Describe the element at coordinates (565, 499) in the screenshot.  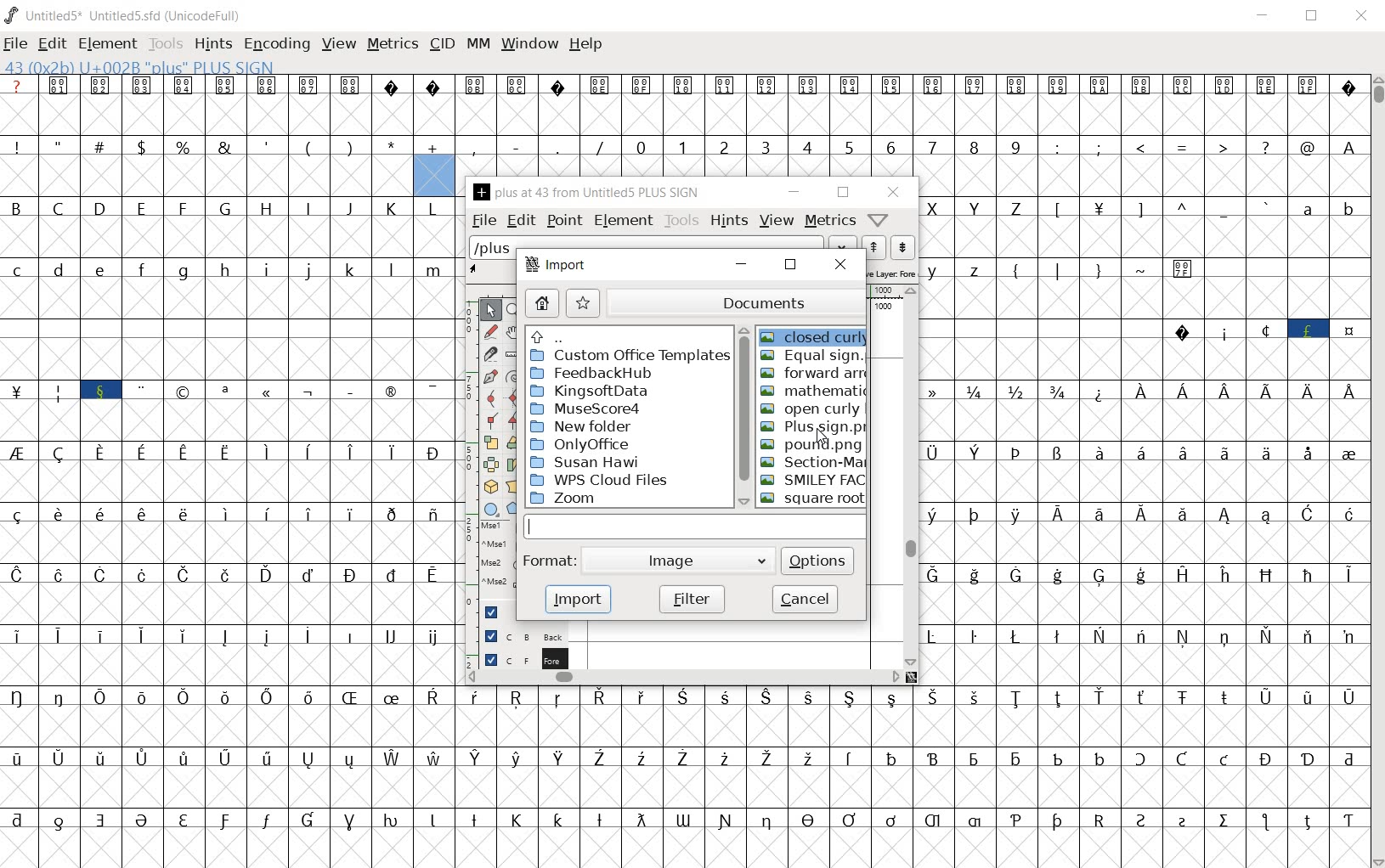
I see `ZOOM` at that location.